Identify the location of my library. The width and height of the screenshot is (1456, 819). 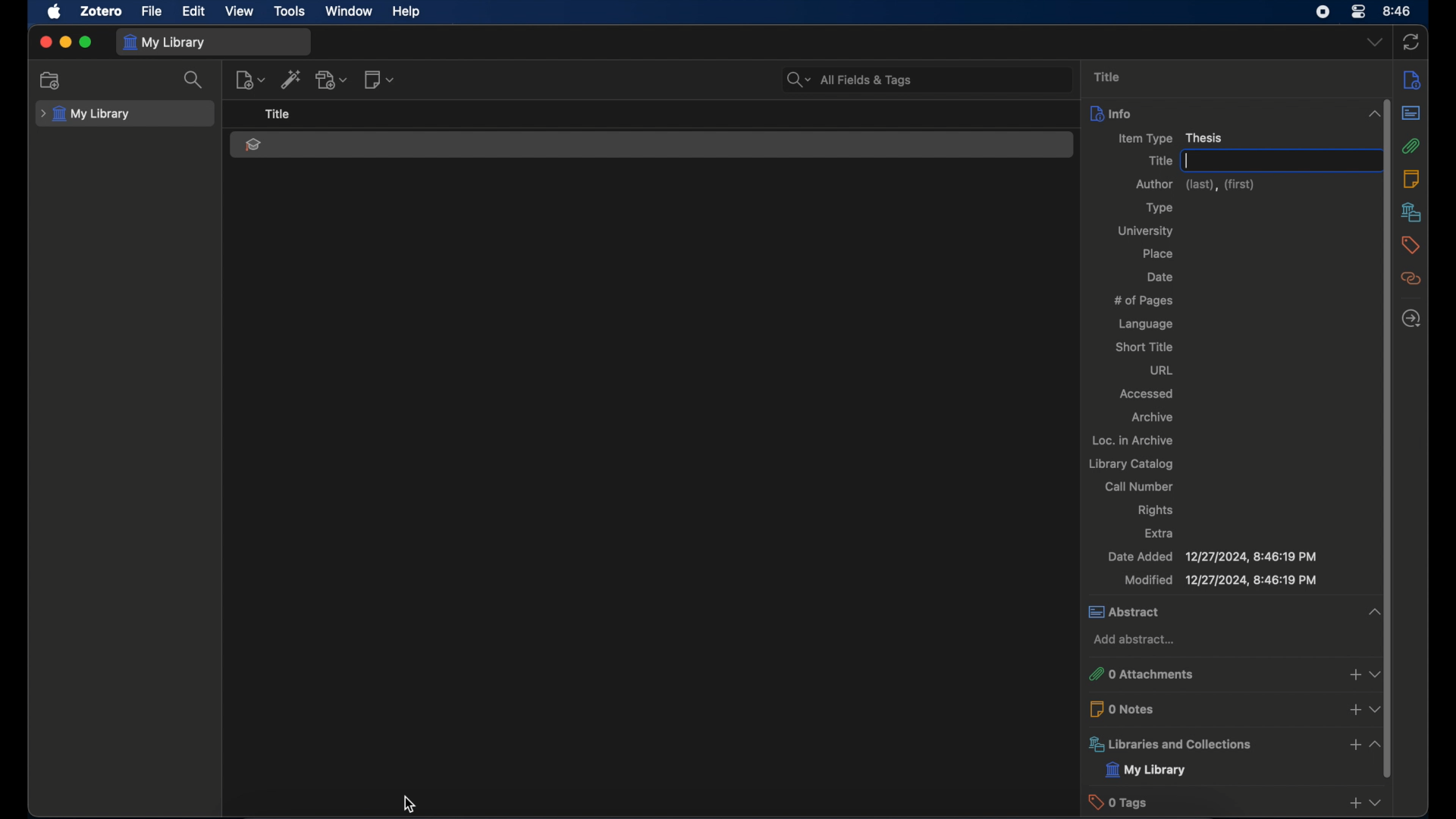
(1147, 770).